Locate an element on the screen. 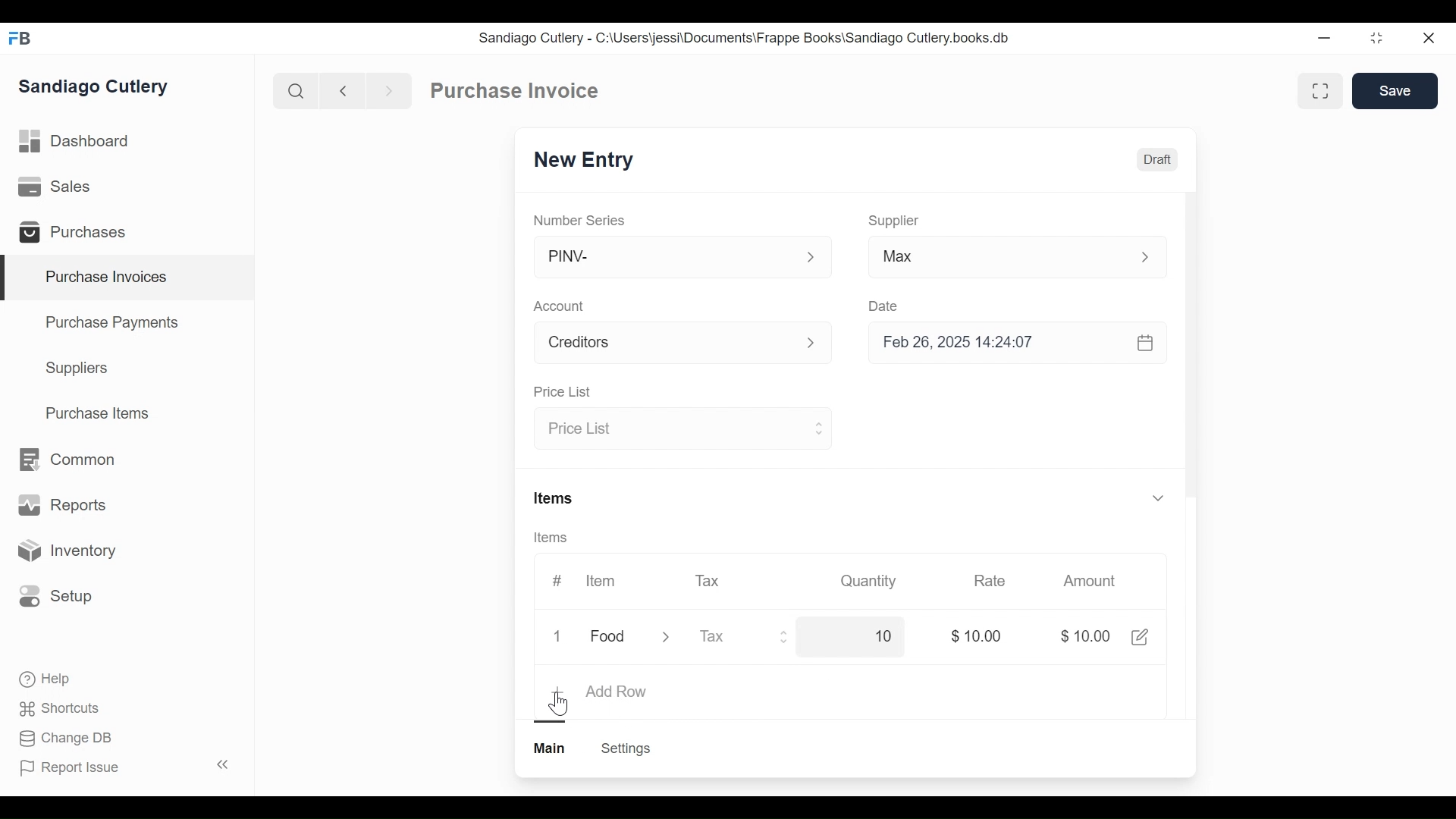  Toggle between form and full view is located at coordinates (1321, 91).